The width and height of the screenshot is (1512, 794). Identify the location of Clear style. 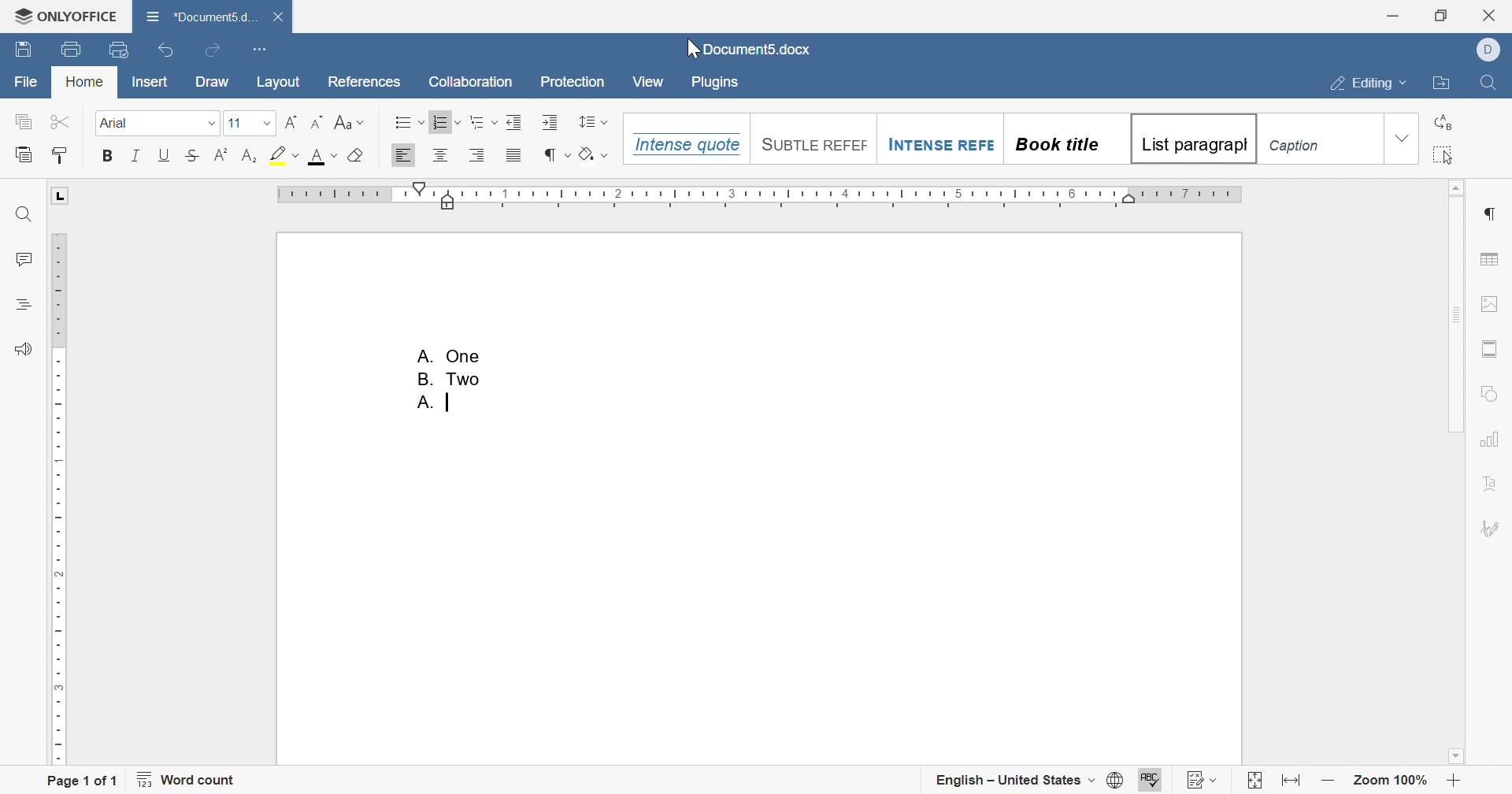
(358, 155).